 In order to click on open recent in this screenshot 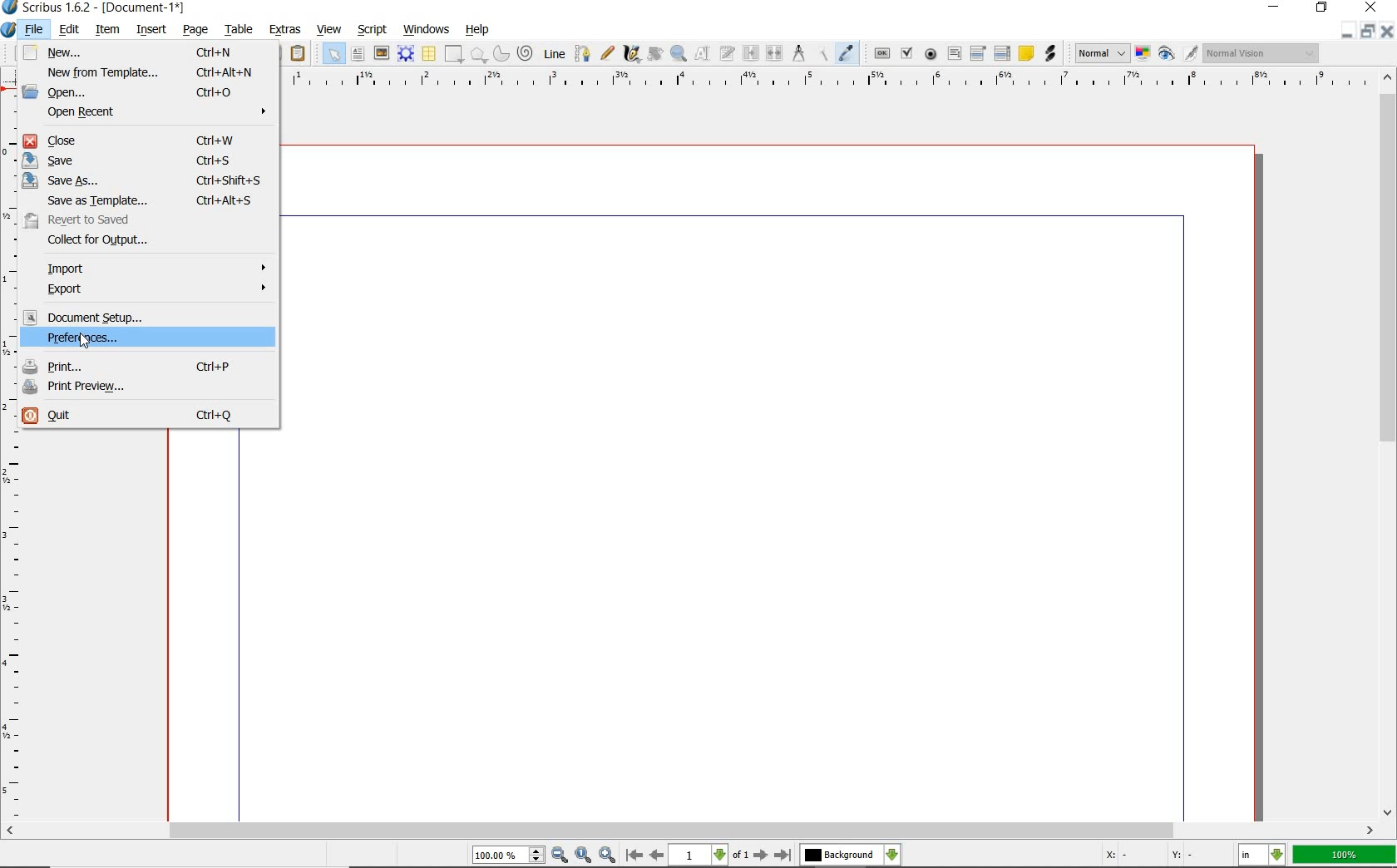, I will do `click(157, 114)`.